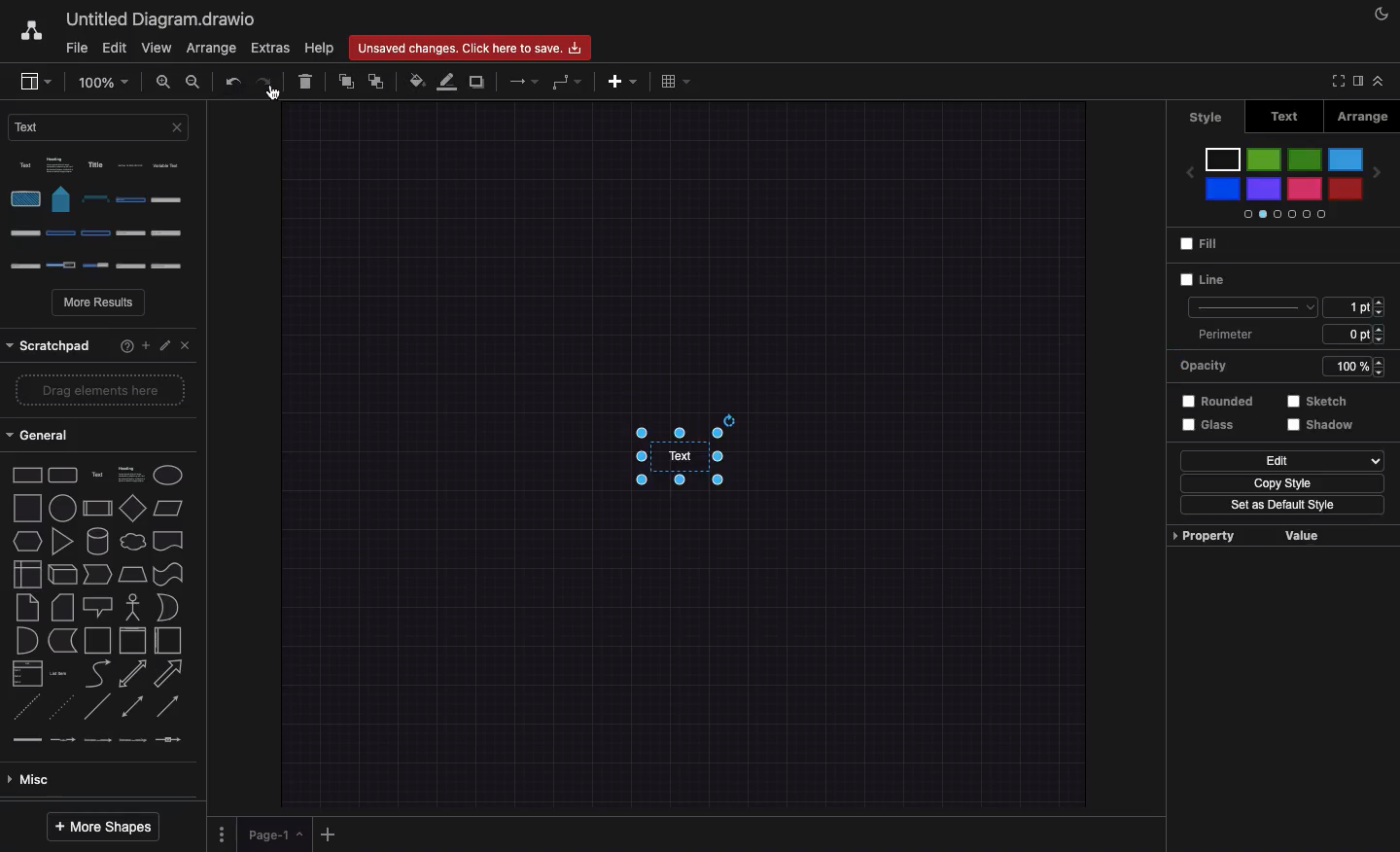  Describe the element at coordinates (145, 343) in the screenshot. I see `Add` at that location.